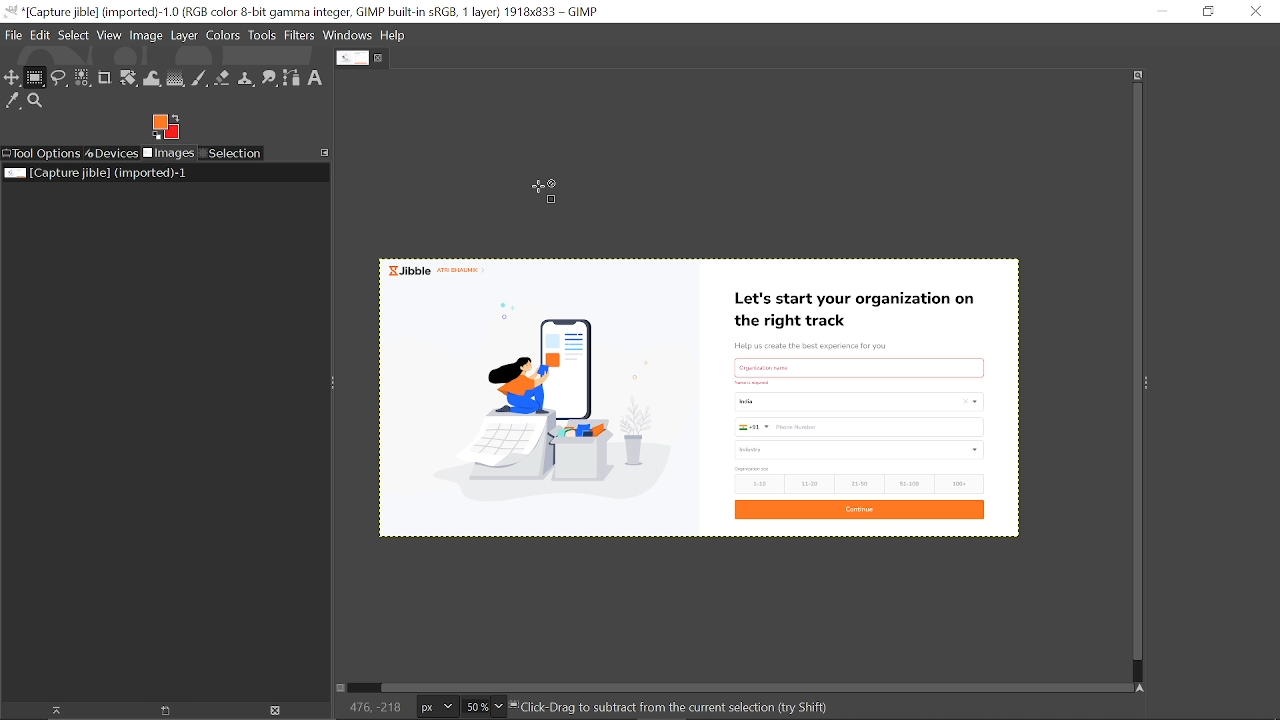 This screenshot has width=1280, height=720. Describe the element at coordinates (37, 102) in the screenshot. I see `Zoom tool` at that location.